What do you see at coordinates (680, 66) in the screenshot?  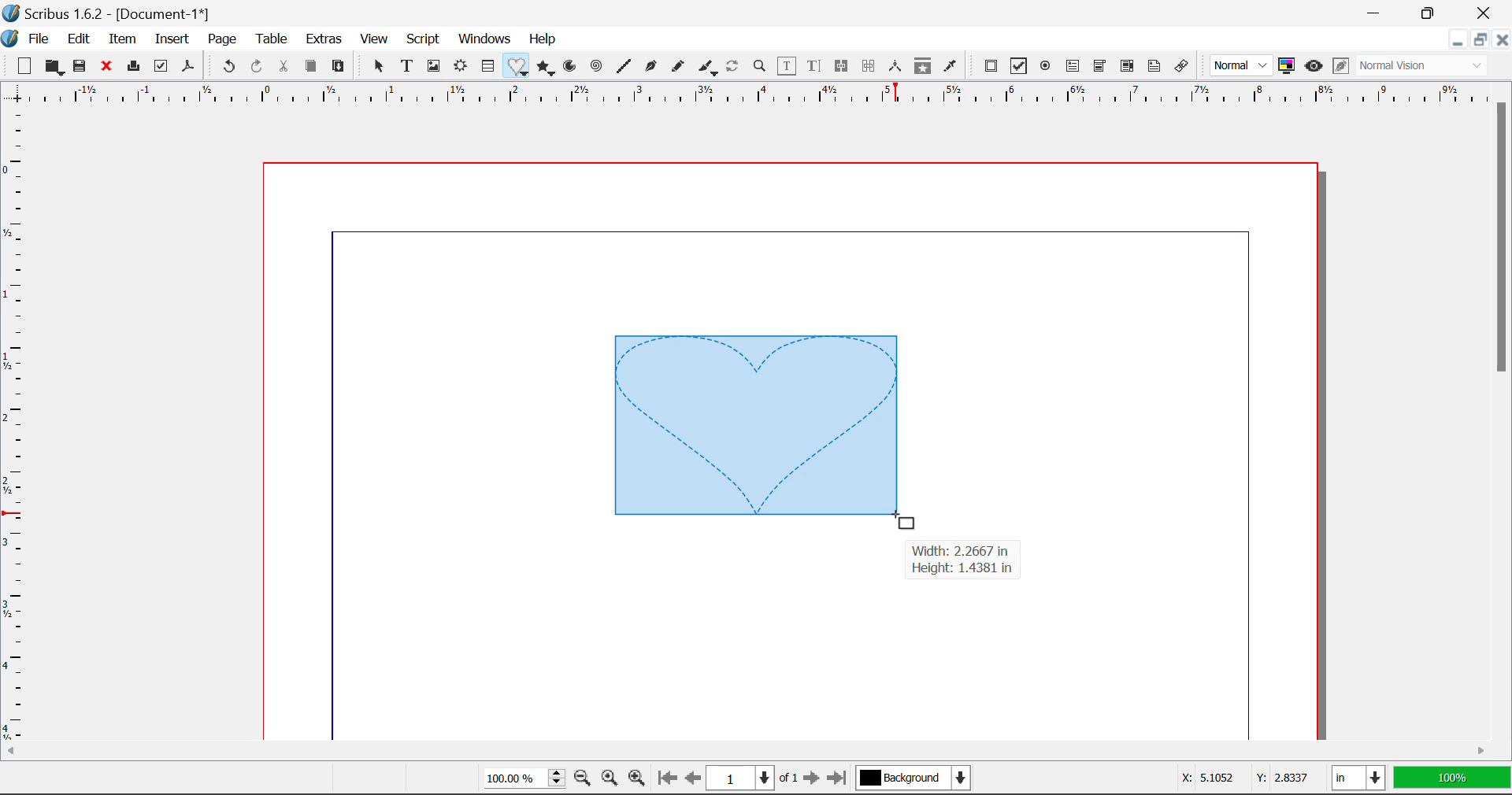 I see `Freehand Curve` at bounding box center [680, 66].